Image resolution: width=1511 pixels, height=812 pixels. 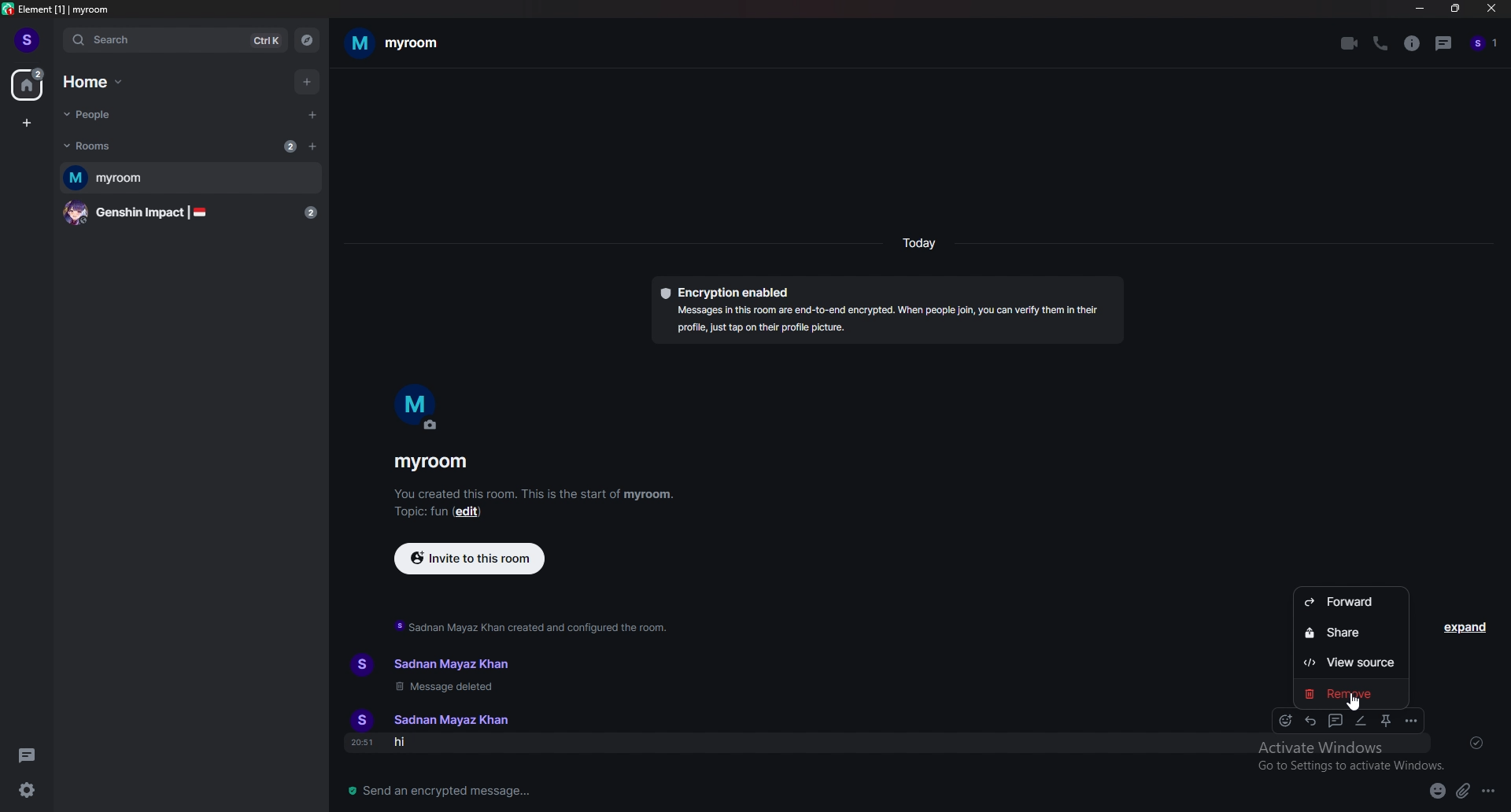 I want to click on close, so click(x=1488, y=9).